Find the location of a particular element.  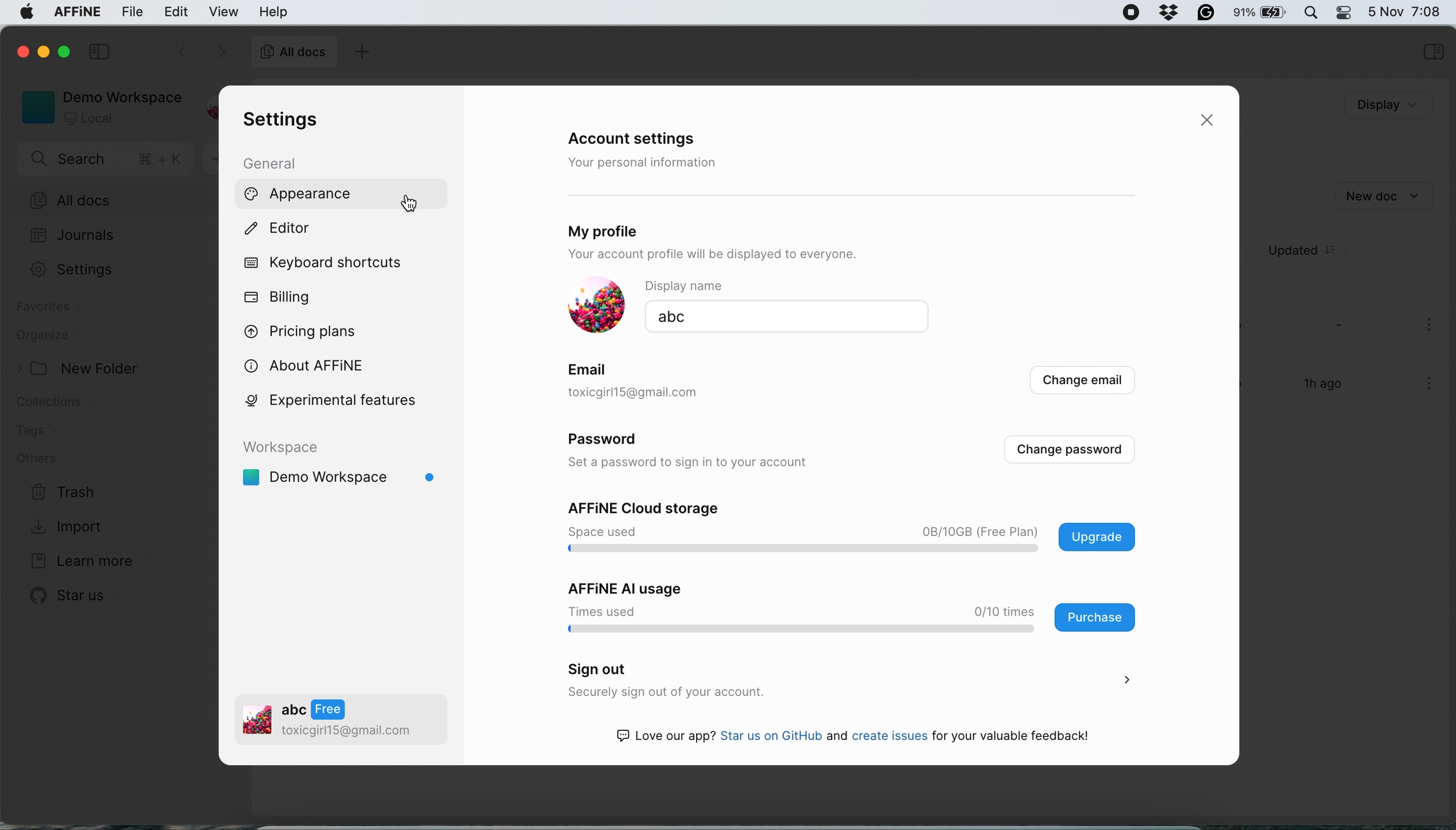

date and time is located at coordinates (1408, 11).